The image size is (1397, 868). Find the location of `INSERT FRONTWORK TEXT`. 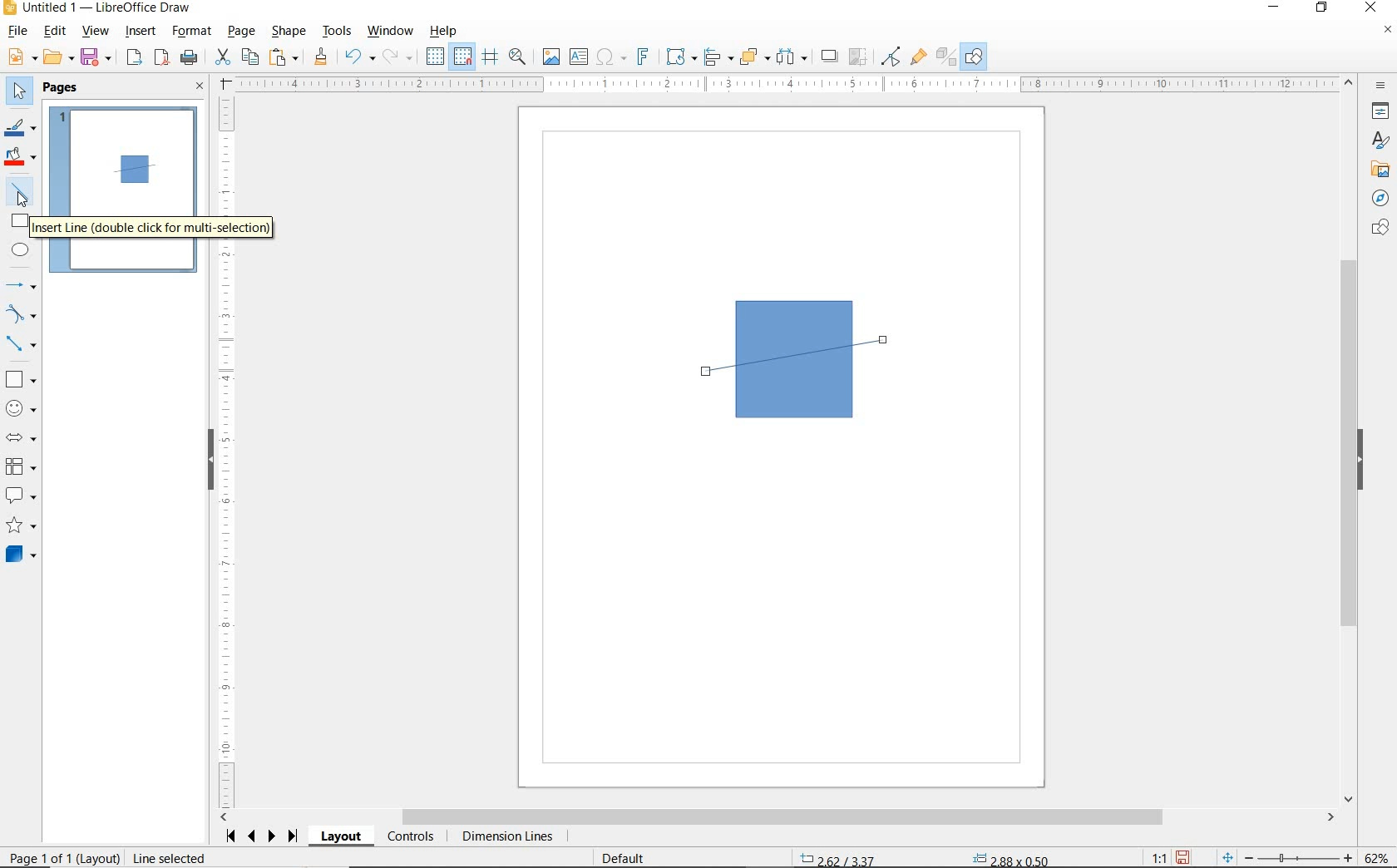

INSERT FRONTWORK TEXT is located at coordinates (642, 57).